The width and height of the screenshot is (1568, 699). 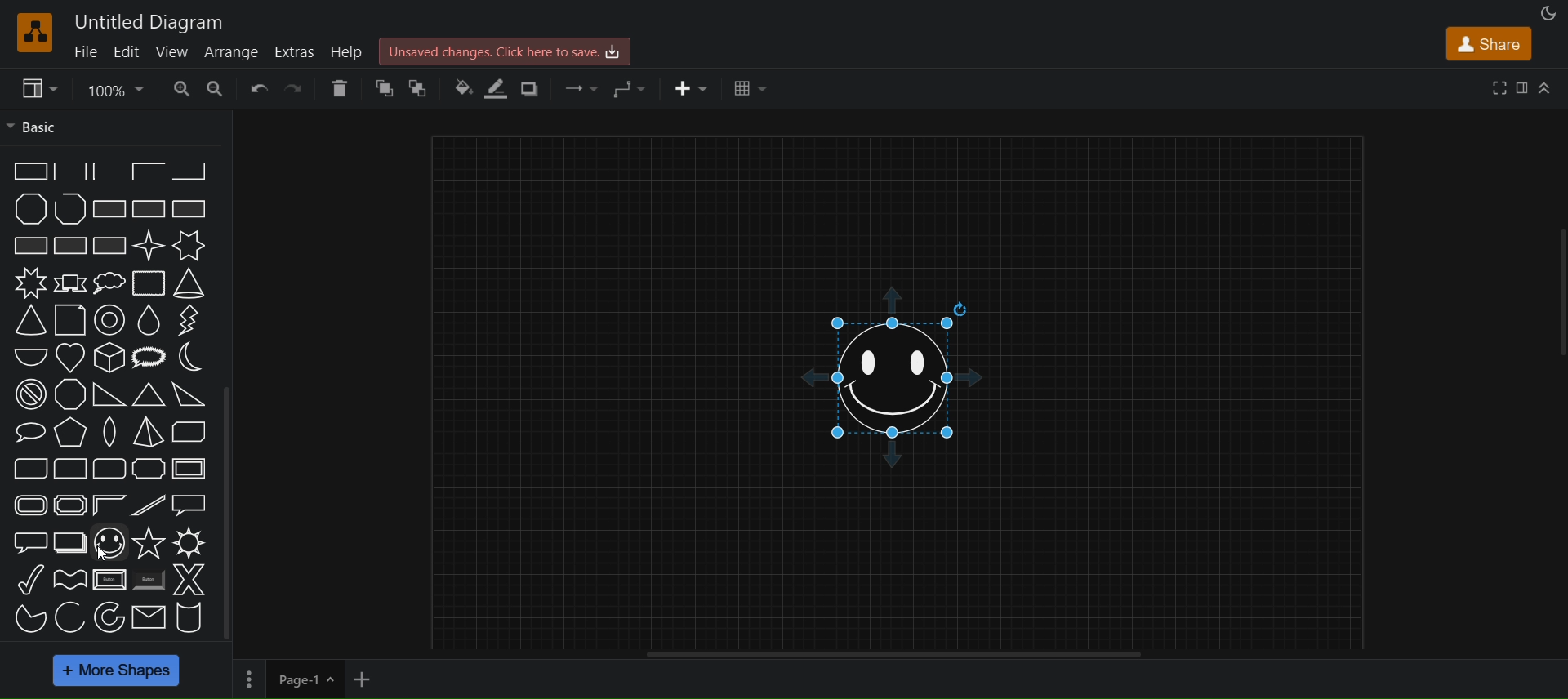 What do you see at coordinates (1488, 43) in the screenshot?
I see `share` at bounding box center [1488, 43].